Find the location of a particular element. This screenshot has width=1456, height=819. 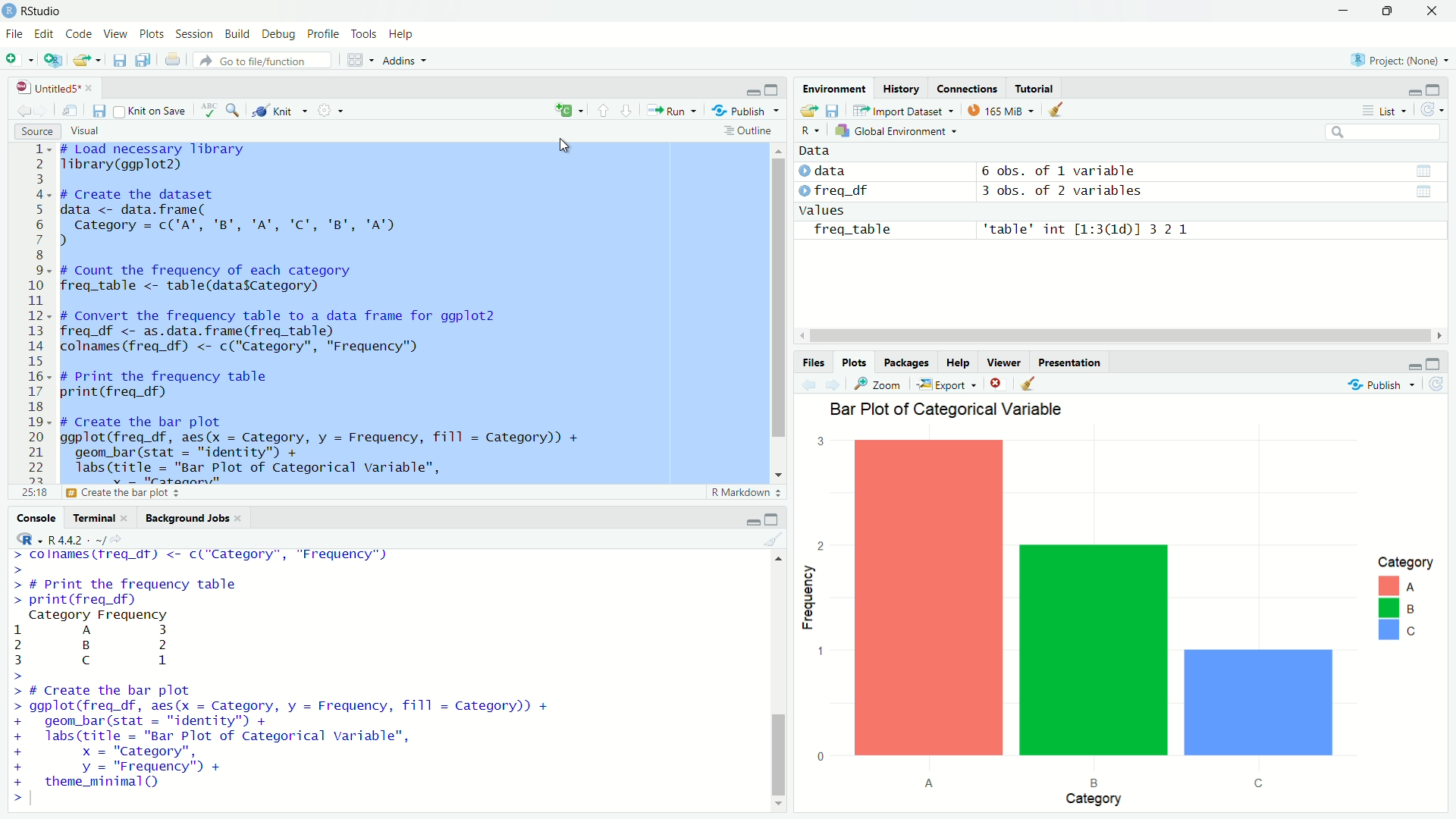

export is located at coordinates (945, 385).